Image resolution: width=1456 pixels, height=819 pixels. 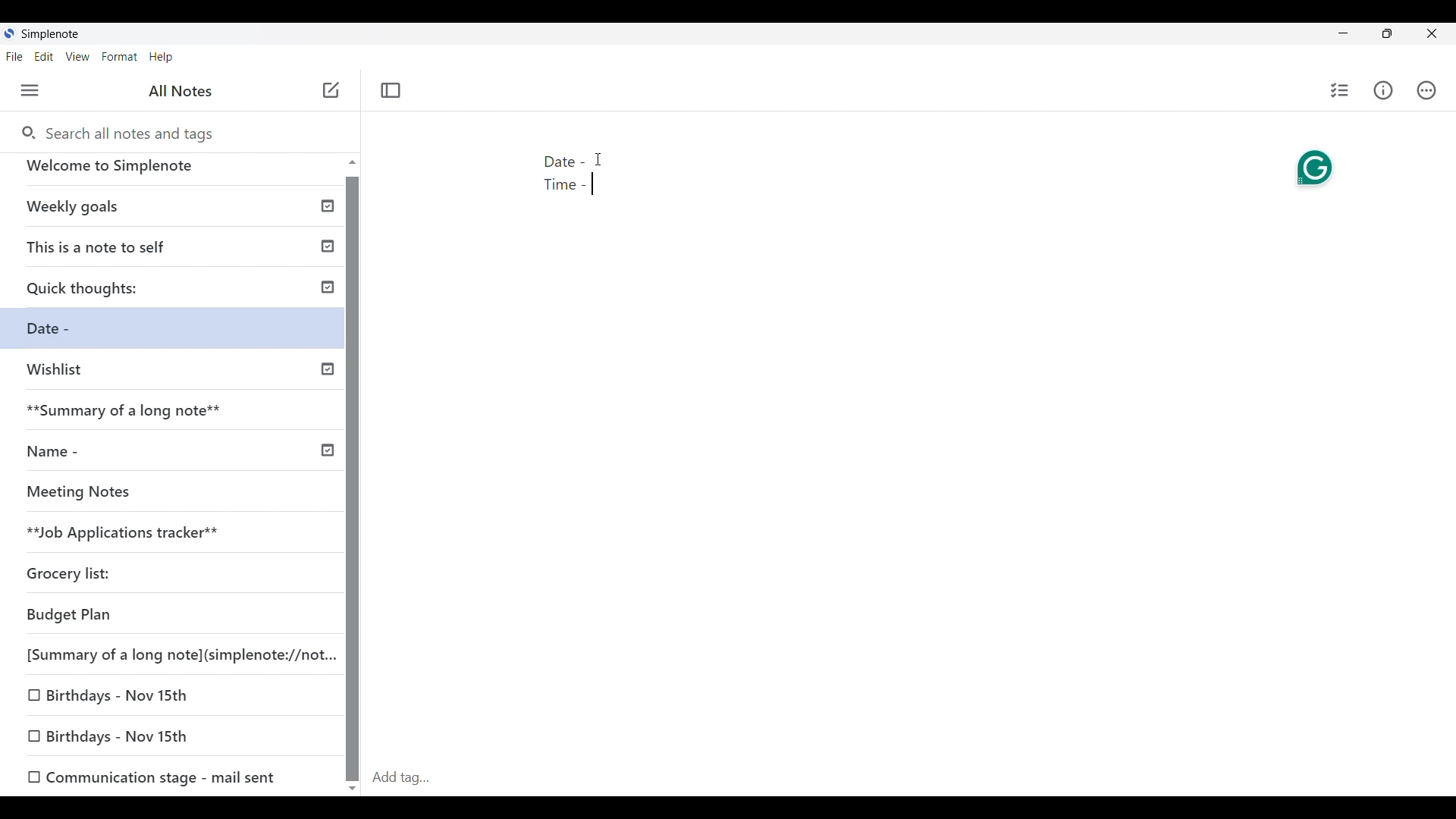 I want to click on Click to type in tags, so click(x=910, y=779).